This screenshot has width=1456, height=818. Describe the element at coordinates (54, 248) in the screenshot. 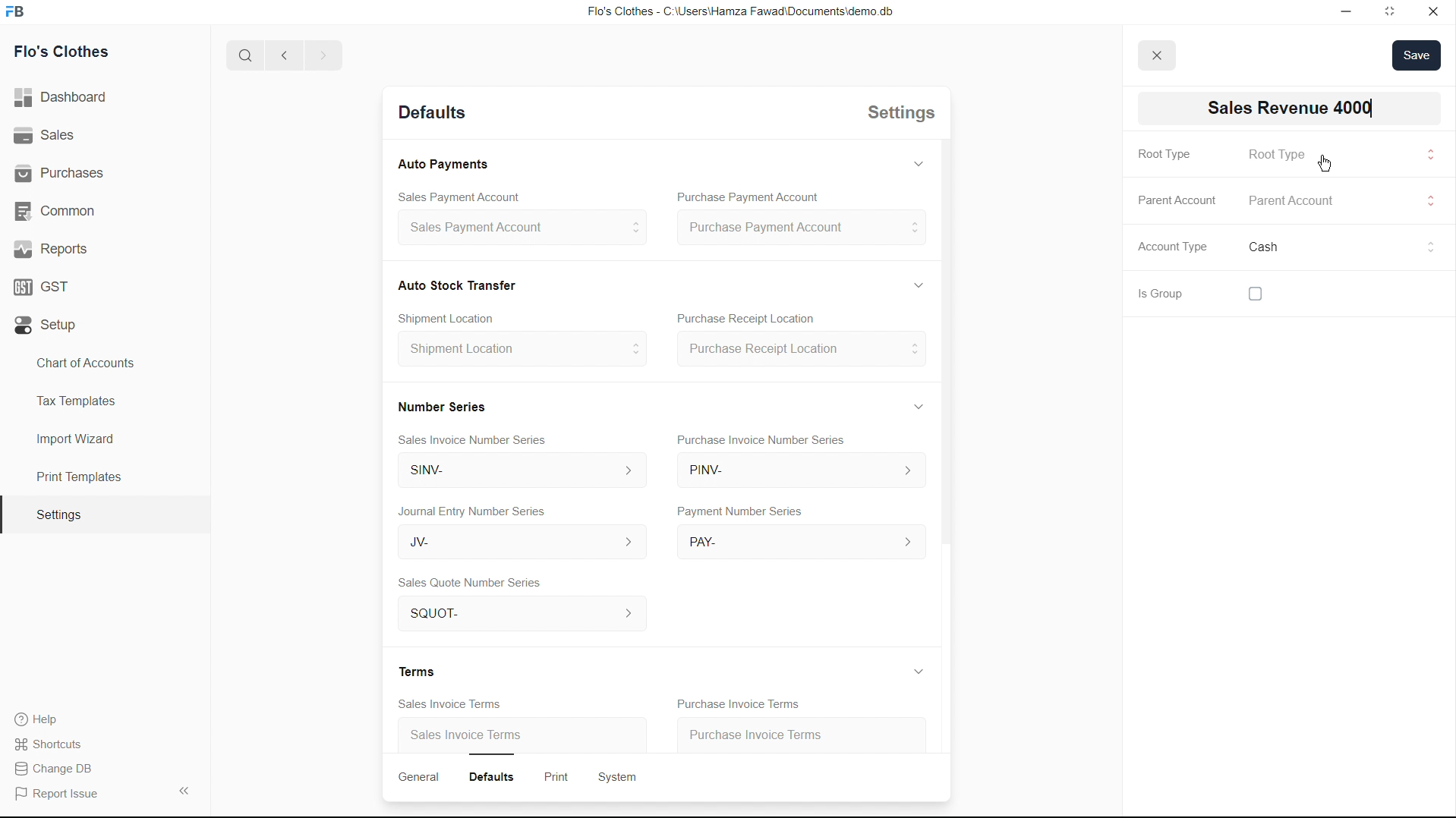

I see `' Reports` at that location.